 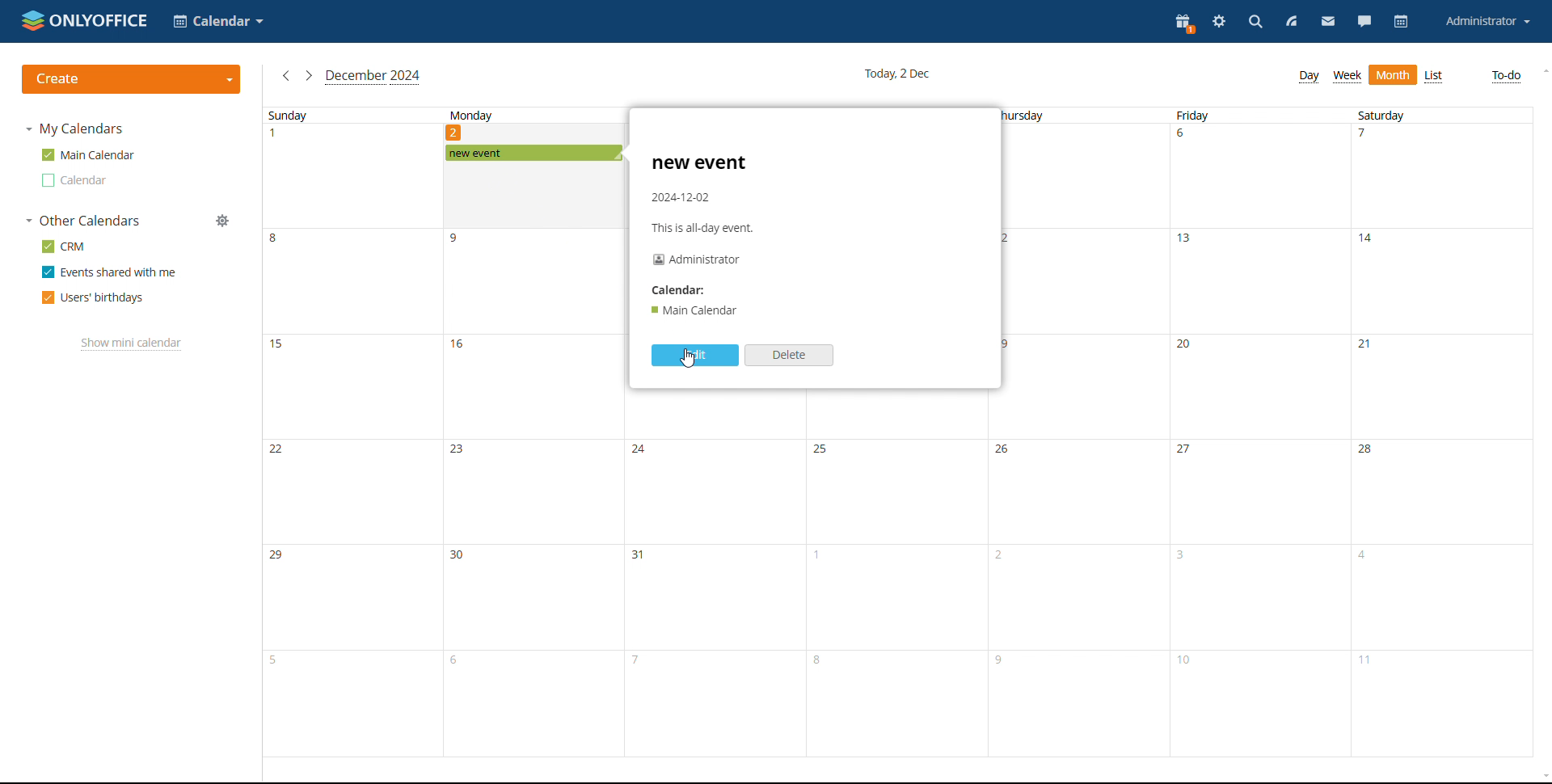 What do you see at coordinates (218, 22) in the screenshot?
I see `select application` at bounding box center [218, 22].